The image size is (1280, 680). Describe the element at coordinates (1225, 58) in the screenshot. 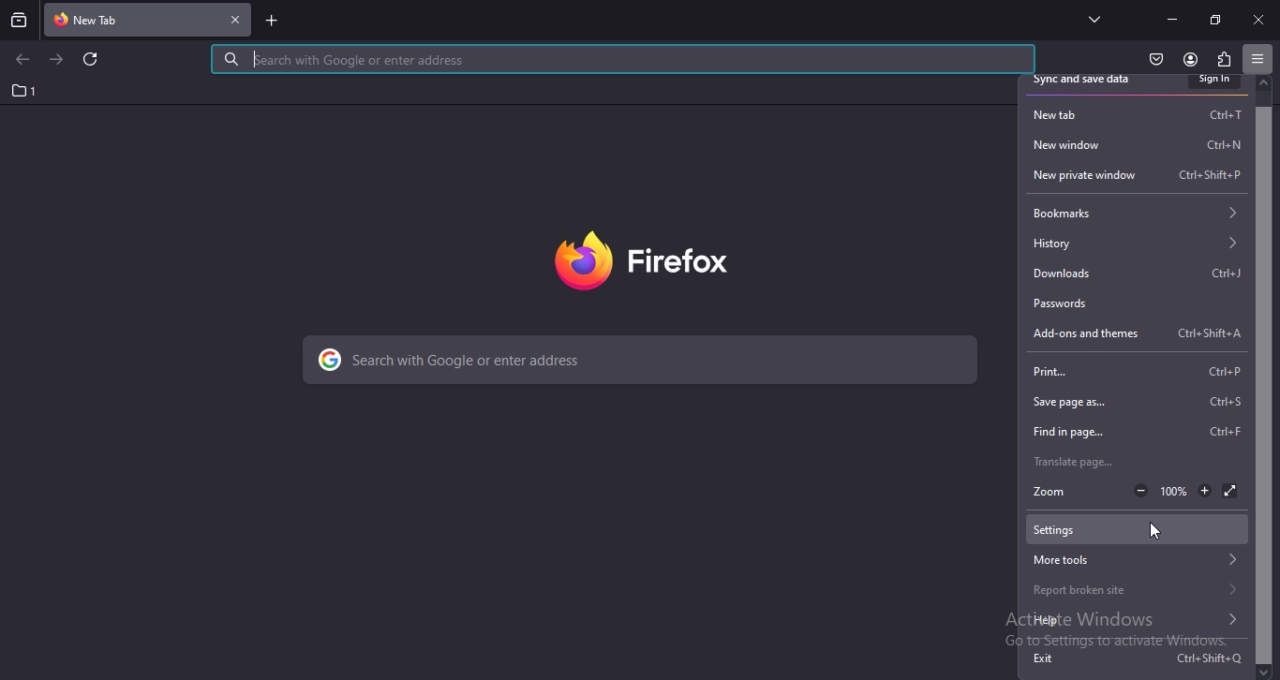

I see `extensions` at that location.